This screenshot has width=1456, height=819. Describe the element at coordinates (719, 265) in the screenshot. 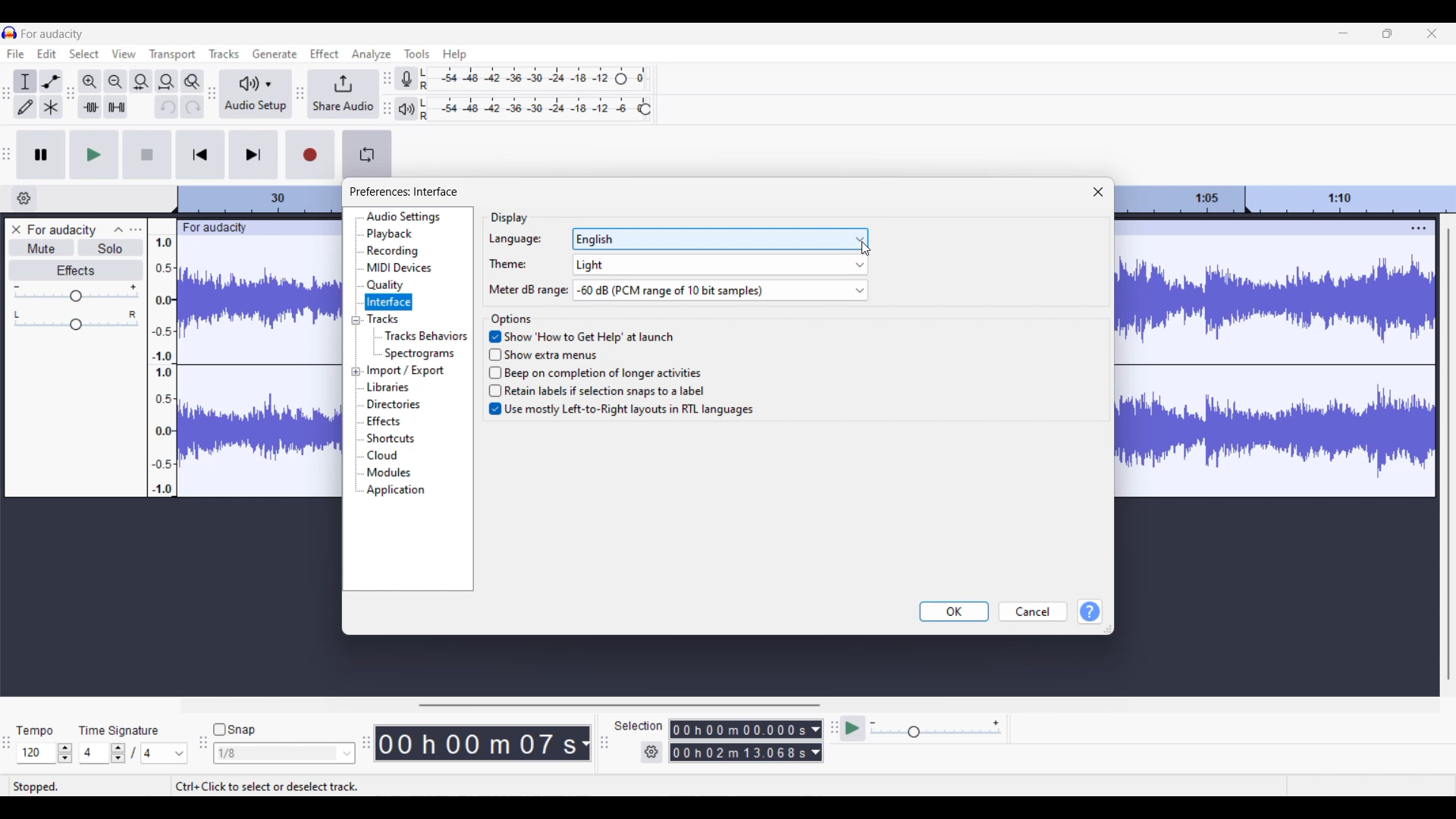

I see `light` at that location.